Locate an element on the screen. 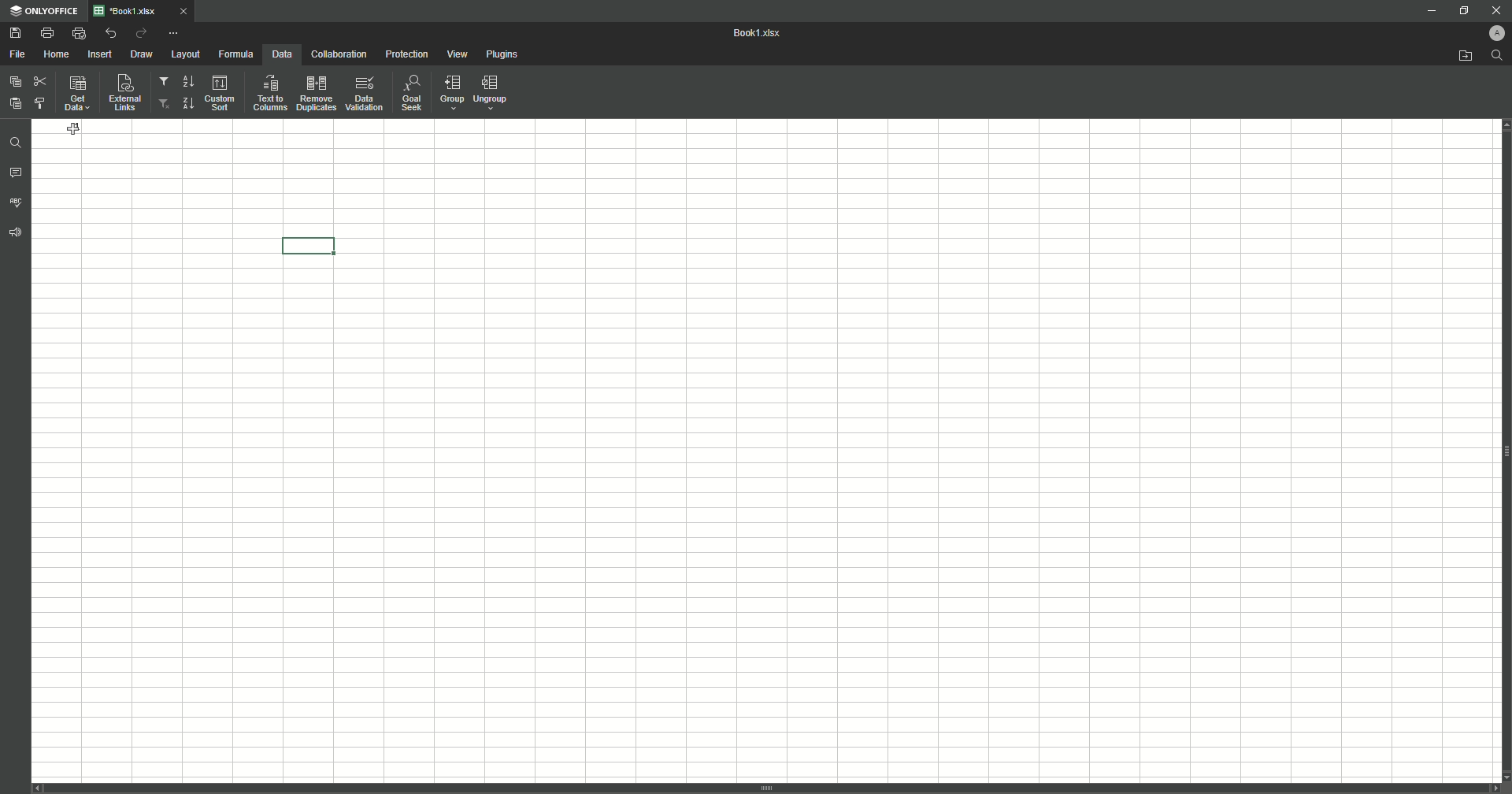 Image resolution: width=1512 pixels, height=794 pixels. Print is located at coordinates (46, 33).